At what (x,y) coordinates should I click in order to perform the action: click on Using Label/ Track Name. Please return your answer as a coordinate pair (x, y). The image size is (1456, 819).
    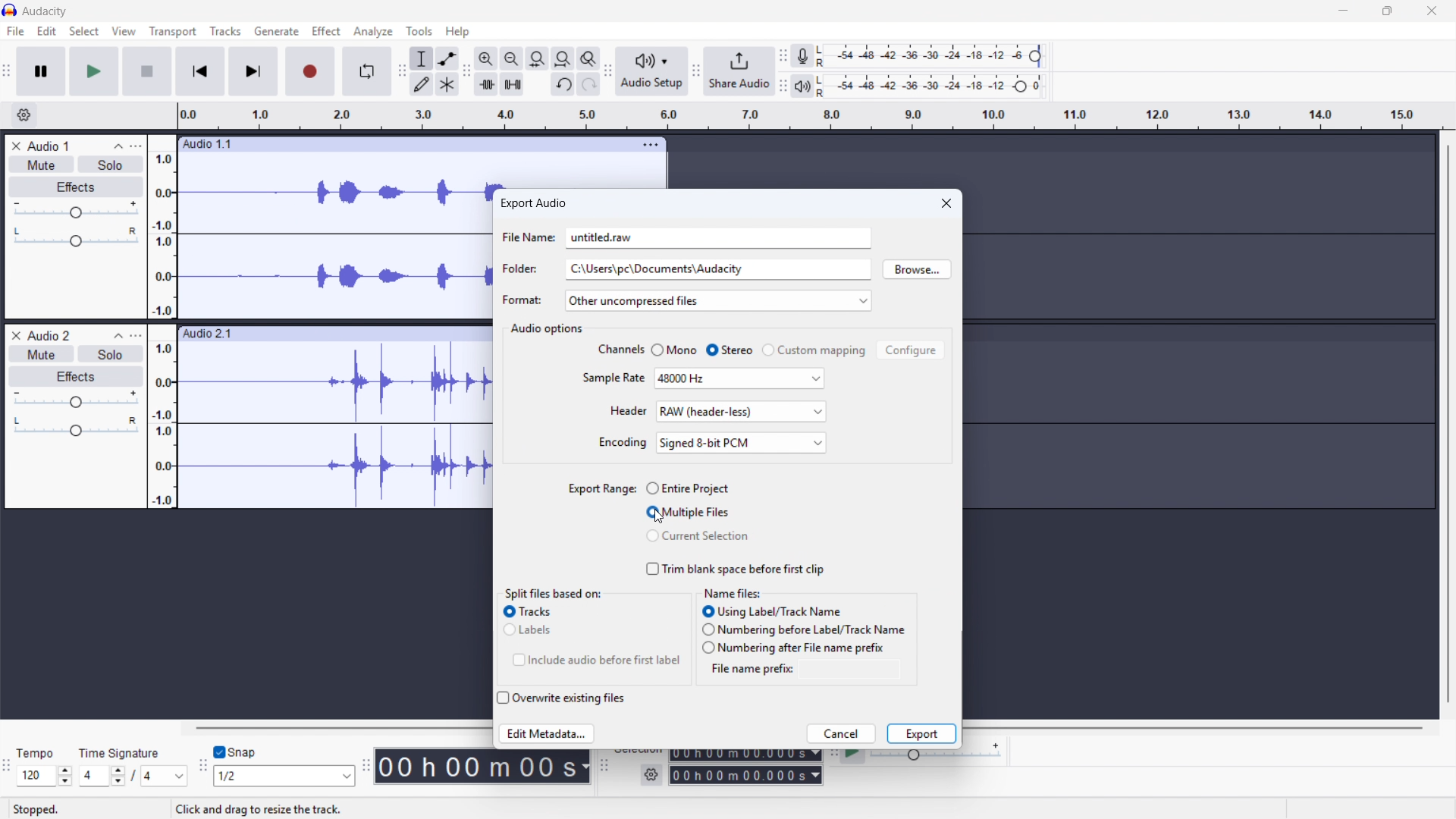
    Looking at the image, I should click on (772, 611).